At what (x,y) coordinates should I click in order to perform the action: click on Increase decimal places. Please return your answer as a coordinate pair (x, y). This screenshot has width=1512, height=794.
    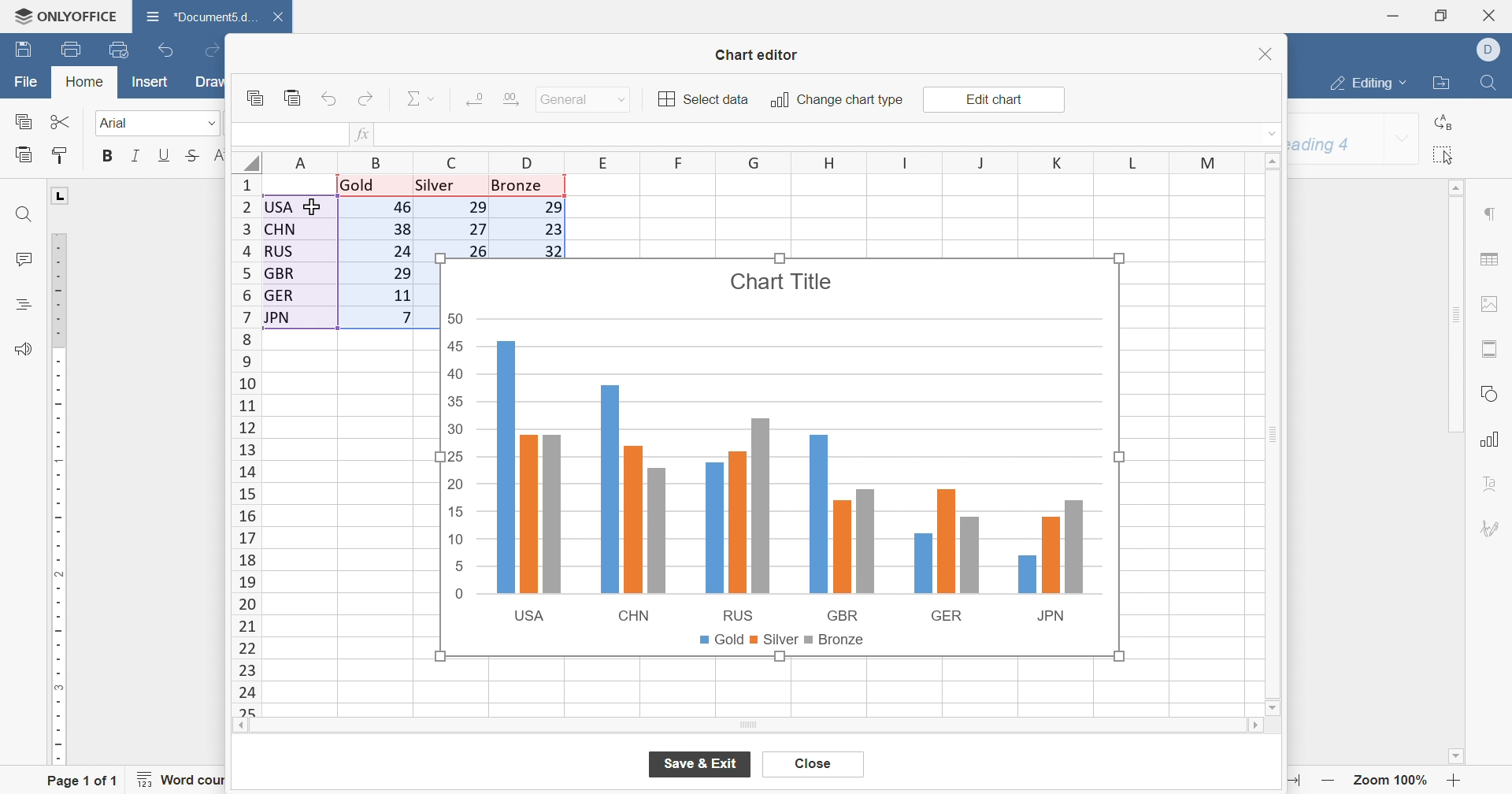
    Looking at the image, I should click on (510, 98).